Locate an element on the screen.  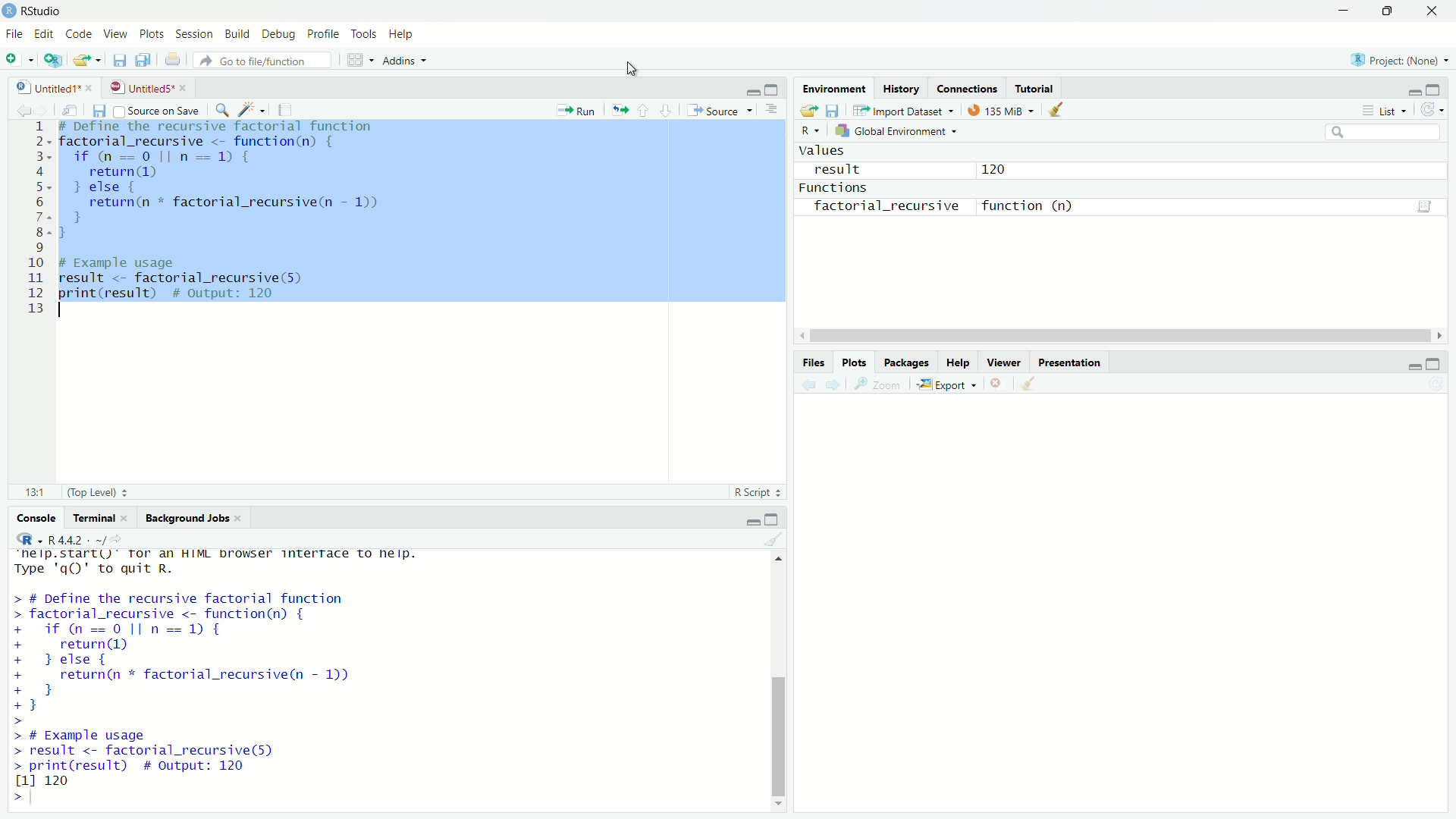
R is located at coordinates (811, 131).